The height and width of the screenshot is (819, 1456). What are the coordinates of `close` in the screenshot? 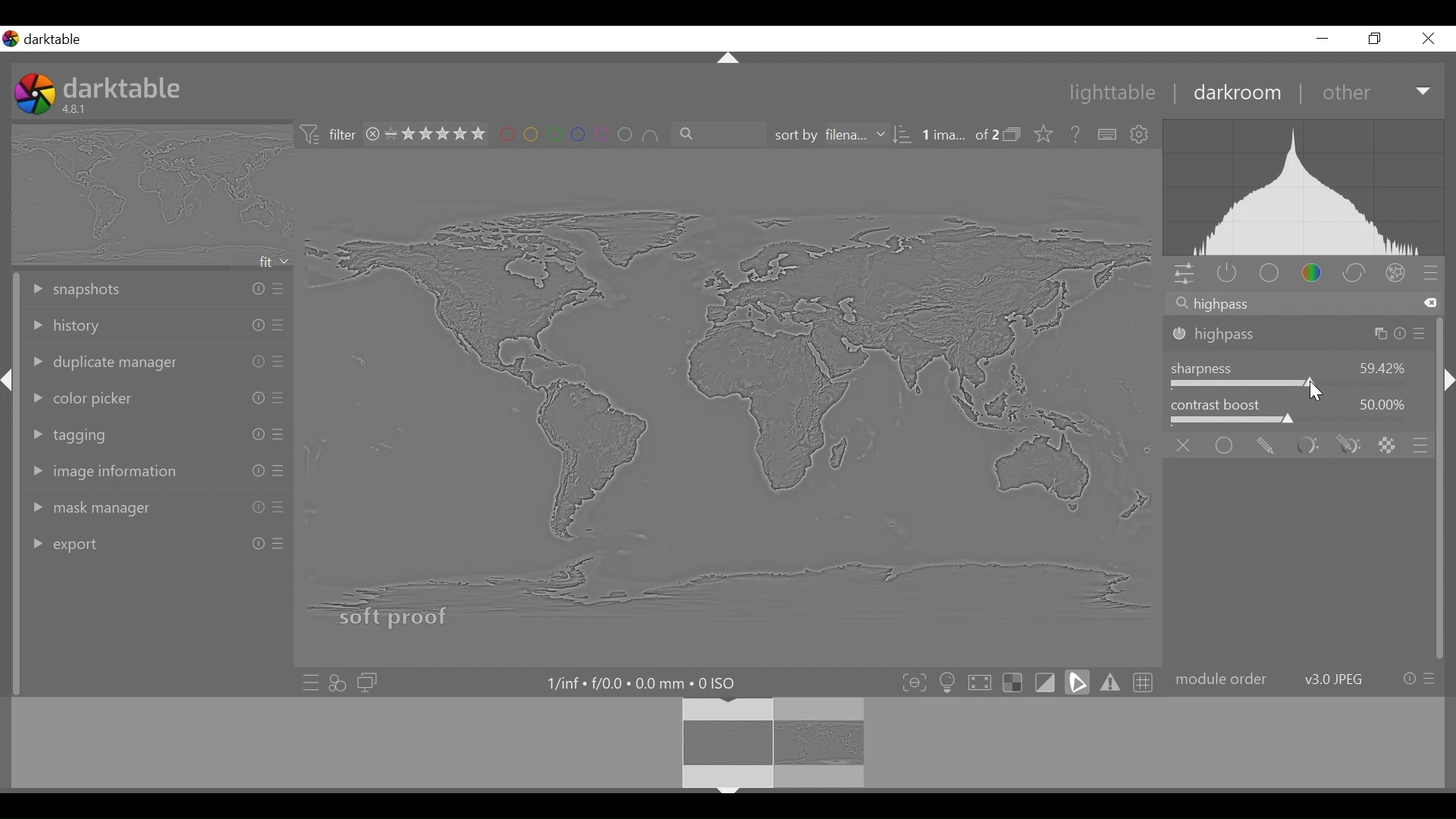 It's located at (1427, 39).